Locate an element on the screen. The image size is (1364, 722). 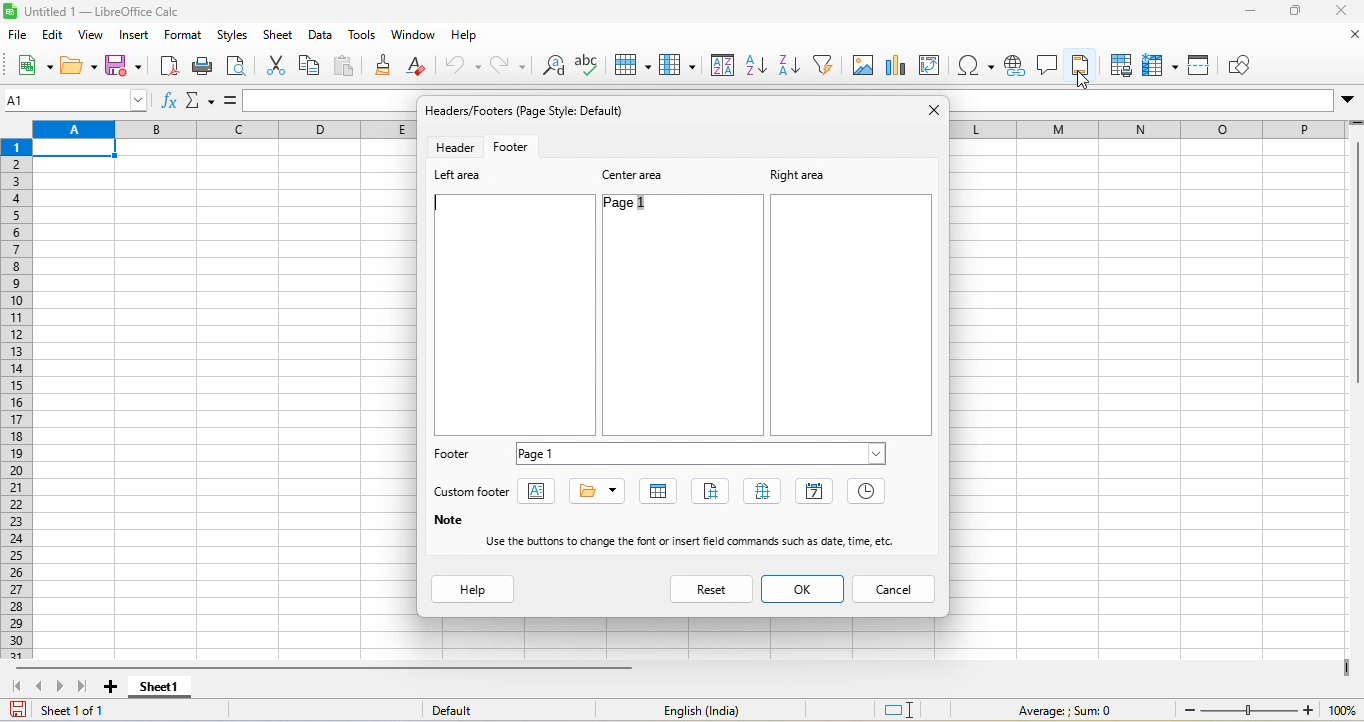
clone formatting is located at coordinates (386, 68).